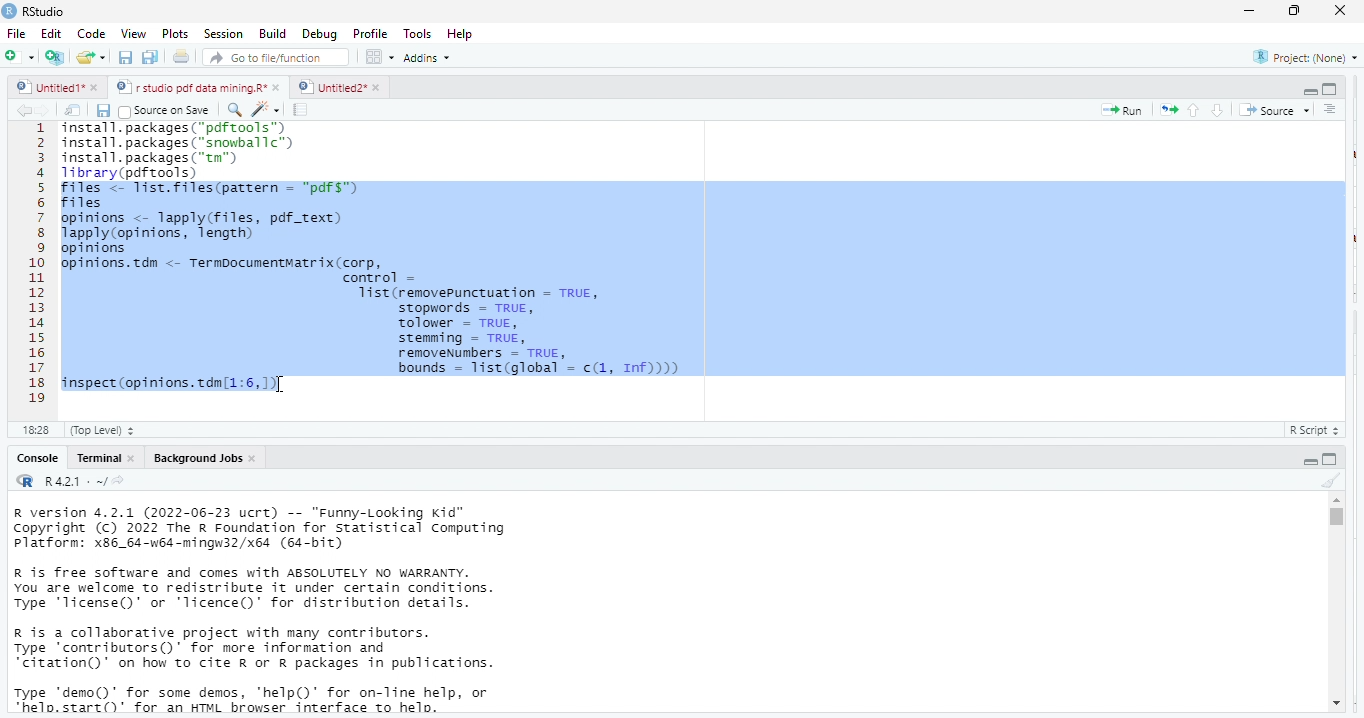 The image size is (1364, 718). Describe the element at coordinates (330, 86) in the screenshot. I see `untitled 2` at that location.